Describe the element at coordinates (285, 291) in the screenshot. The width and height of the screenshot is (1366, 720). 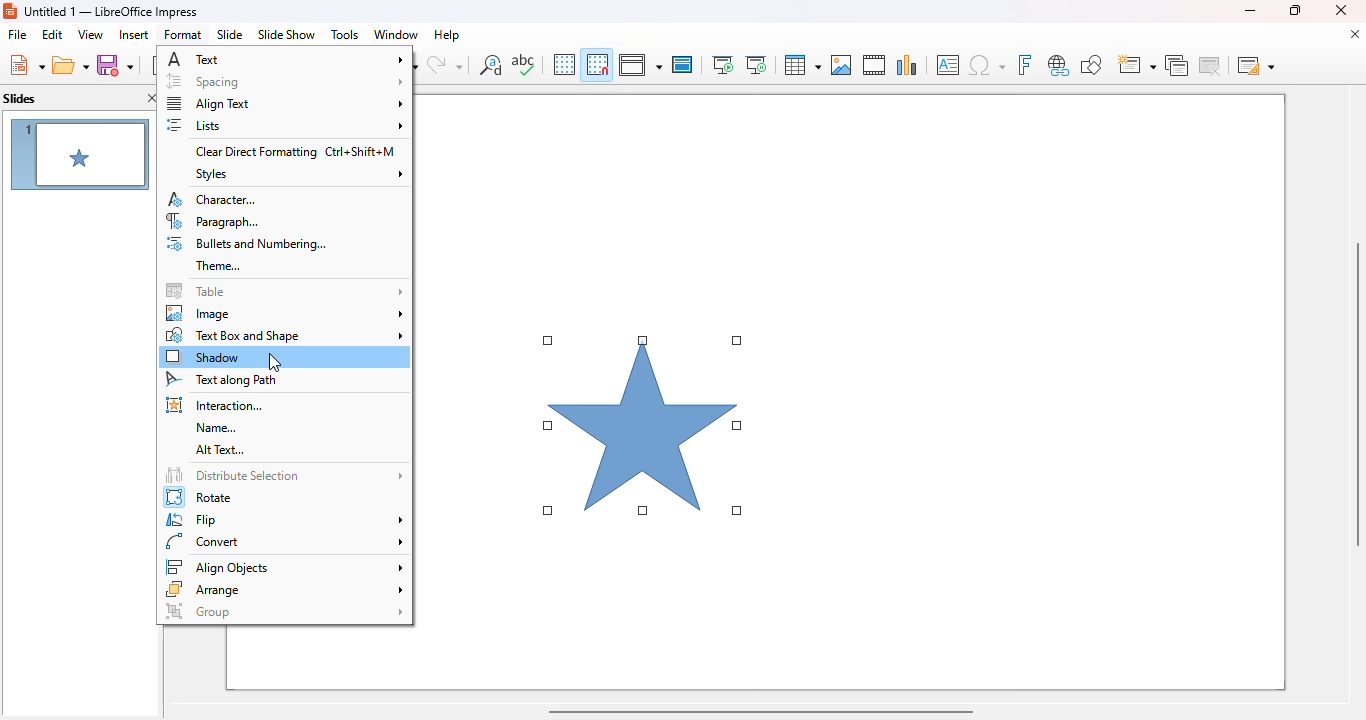
I see `table` at that location.